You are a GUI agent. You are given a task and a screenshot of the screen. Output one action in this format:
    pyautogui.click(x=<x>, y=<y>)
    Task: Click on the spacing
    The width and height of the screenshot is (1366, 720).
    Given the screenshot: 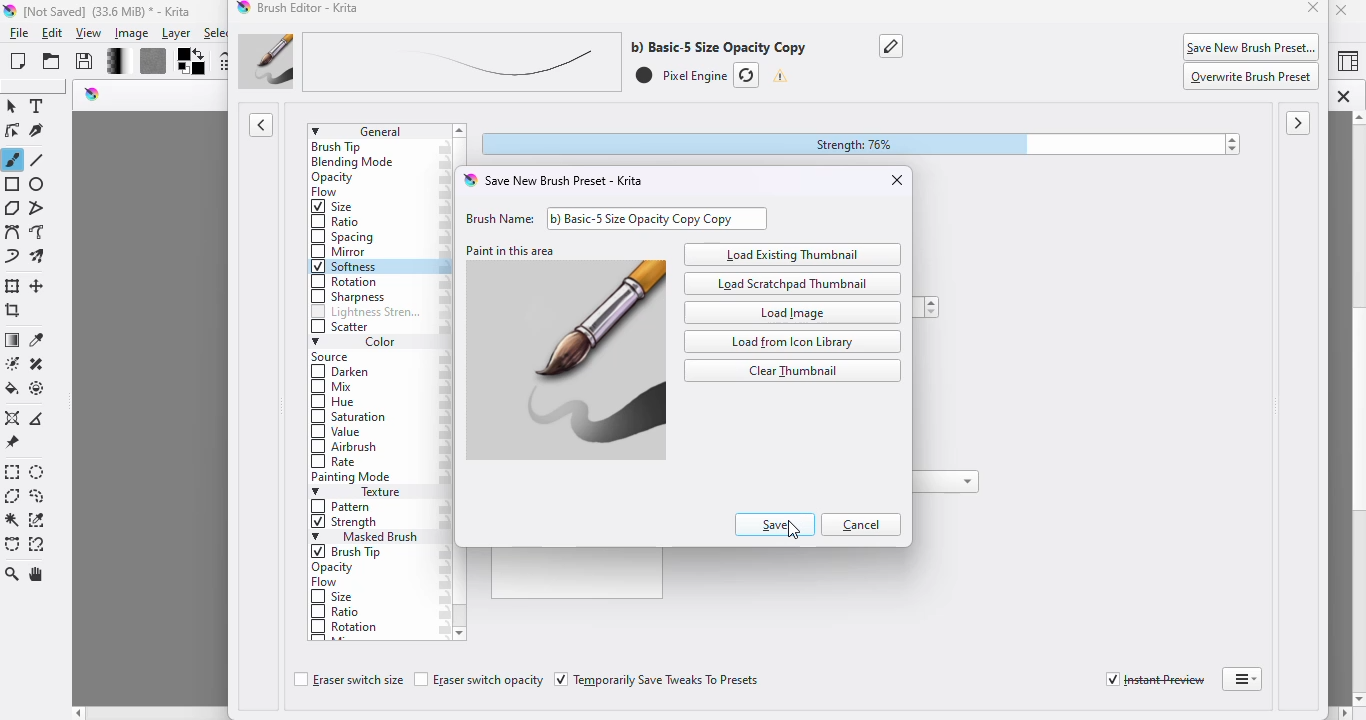 What is the action you would take?
    pyautogui.click(x=344, y=237)
    